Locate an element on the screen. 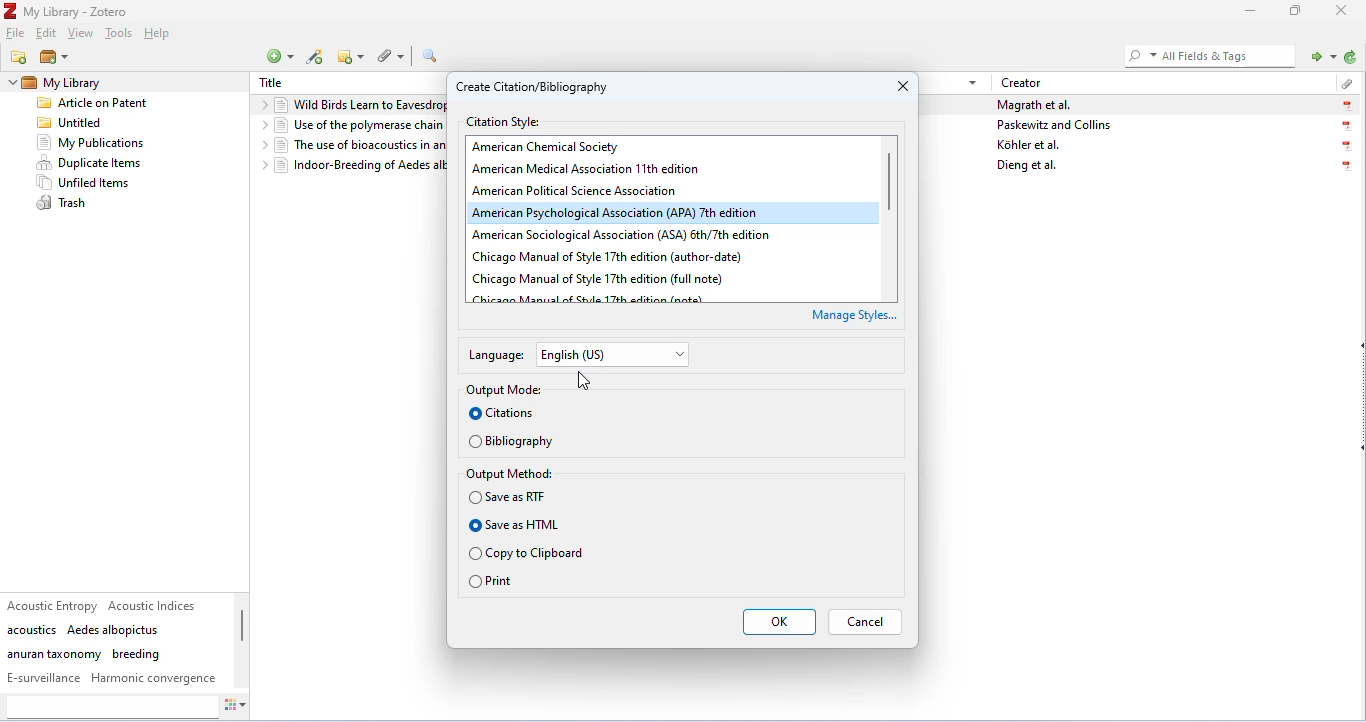 This screenshot has width=1366, height=722. american political science association is located at coordinates (603, 190).